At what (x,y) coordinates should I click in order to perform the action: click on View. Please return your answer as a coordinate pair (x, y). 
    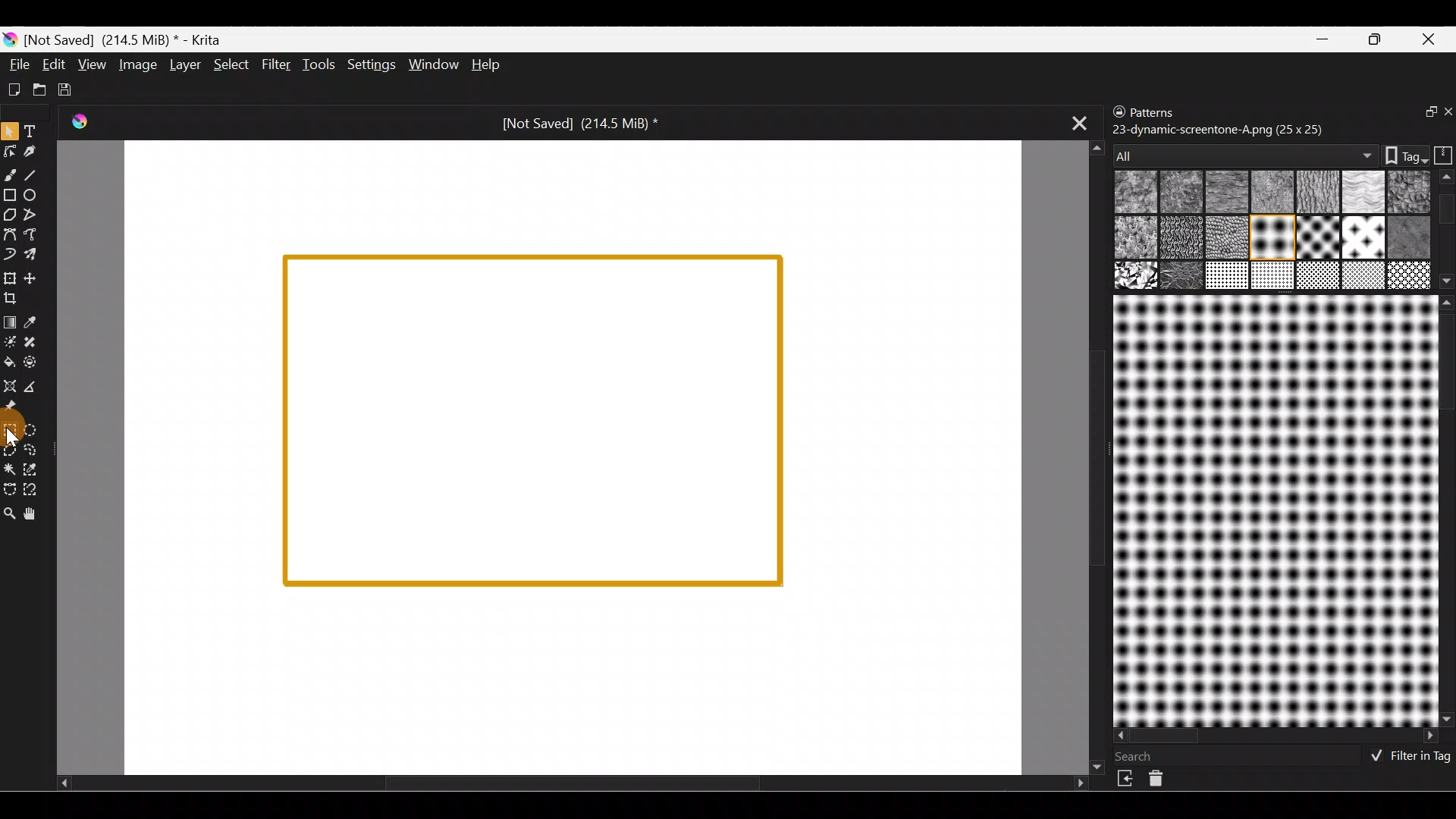
    Looking at the image, I should click on (92, 63).